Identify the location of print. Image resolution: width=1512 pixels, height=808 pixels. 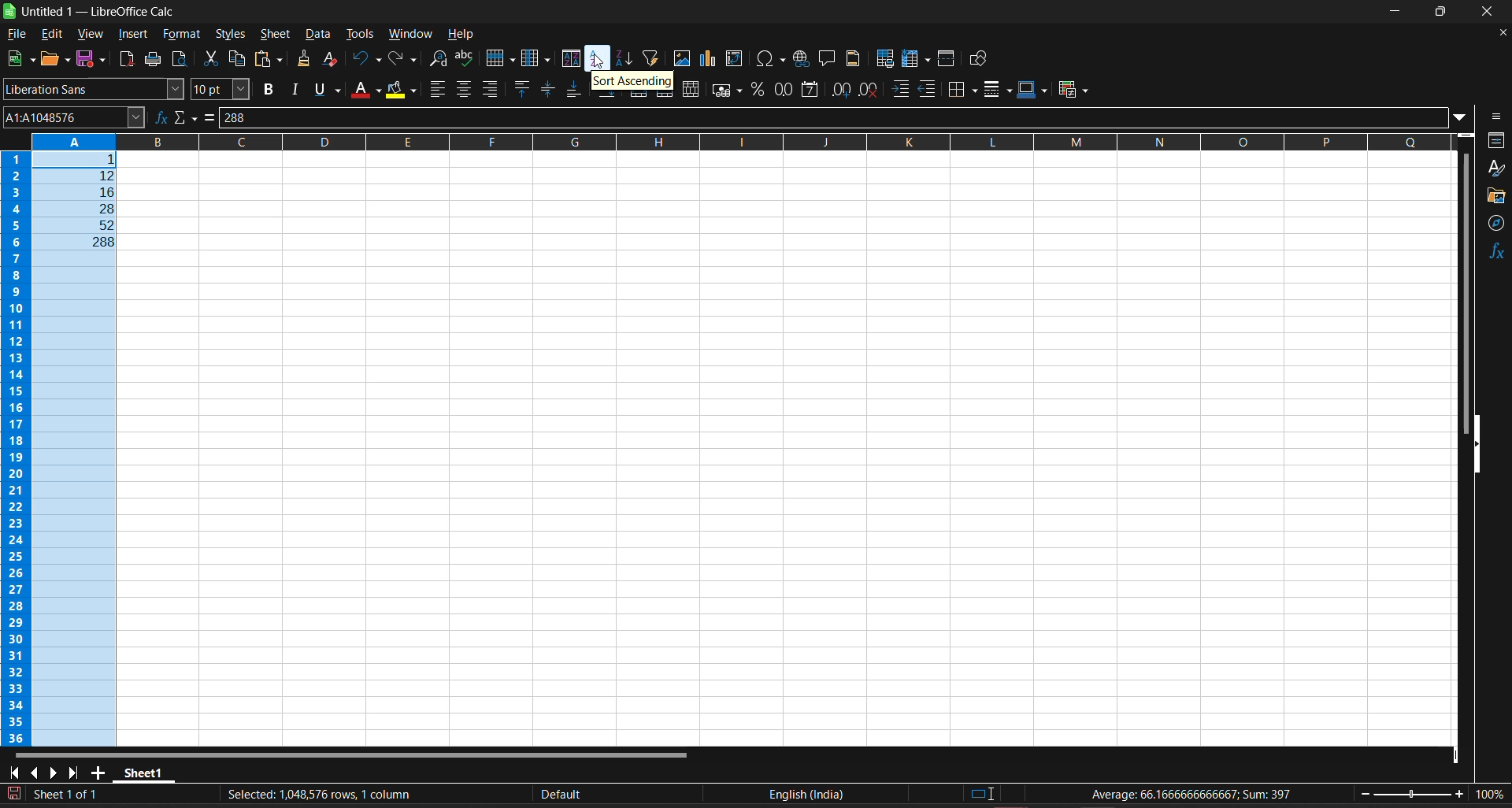
(153, 60).